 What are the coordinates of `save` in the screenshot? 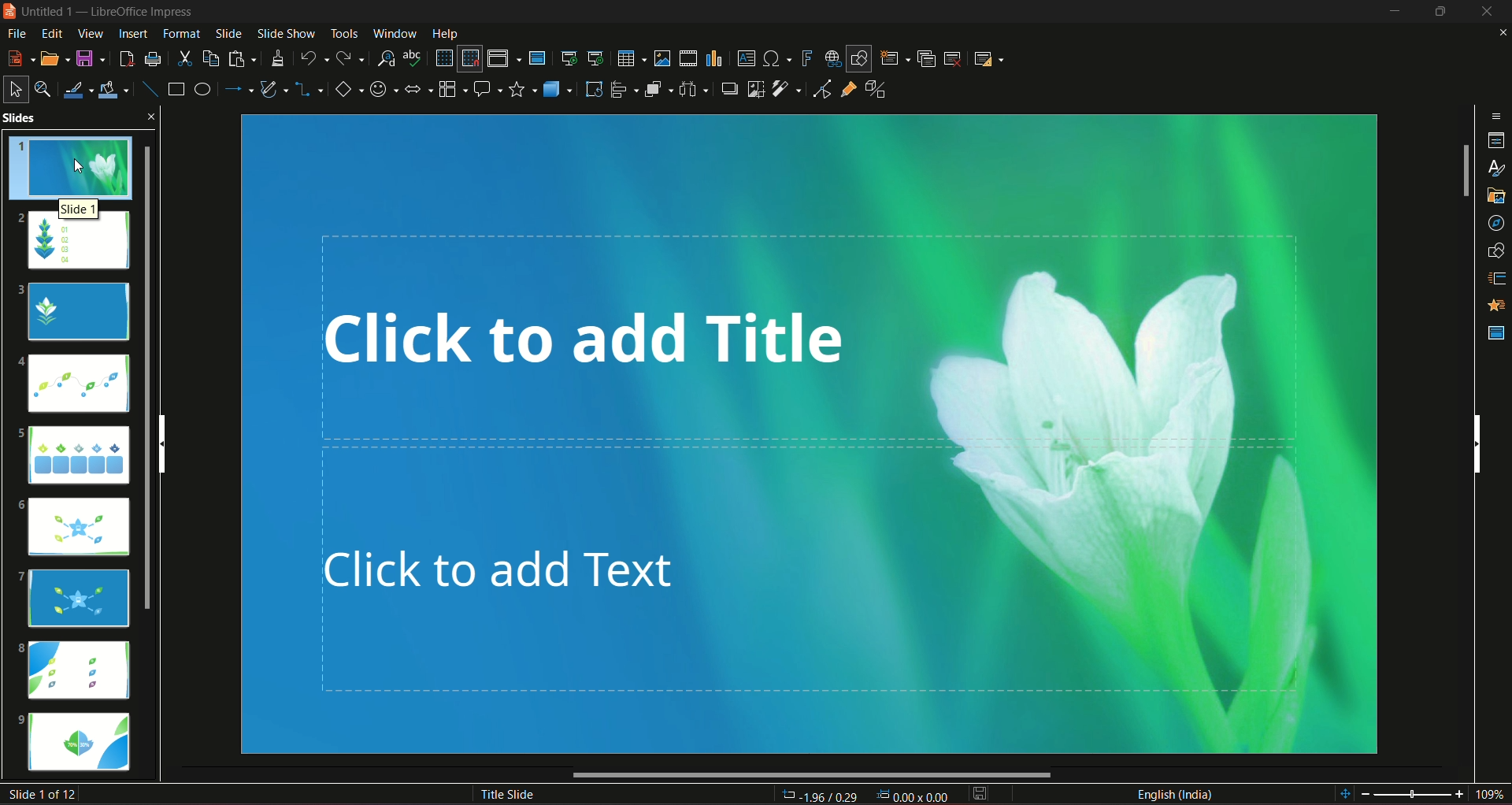 It's located at (91, 57).